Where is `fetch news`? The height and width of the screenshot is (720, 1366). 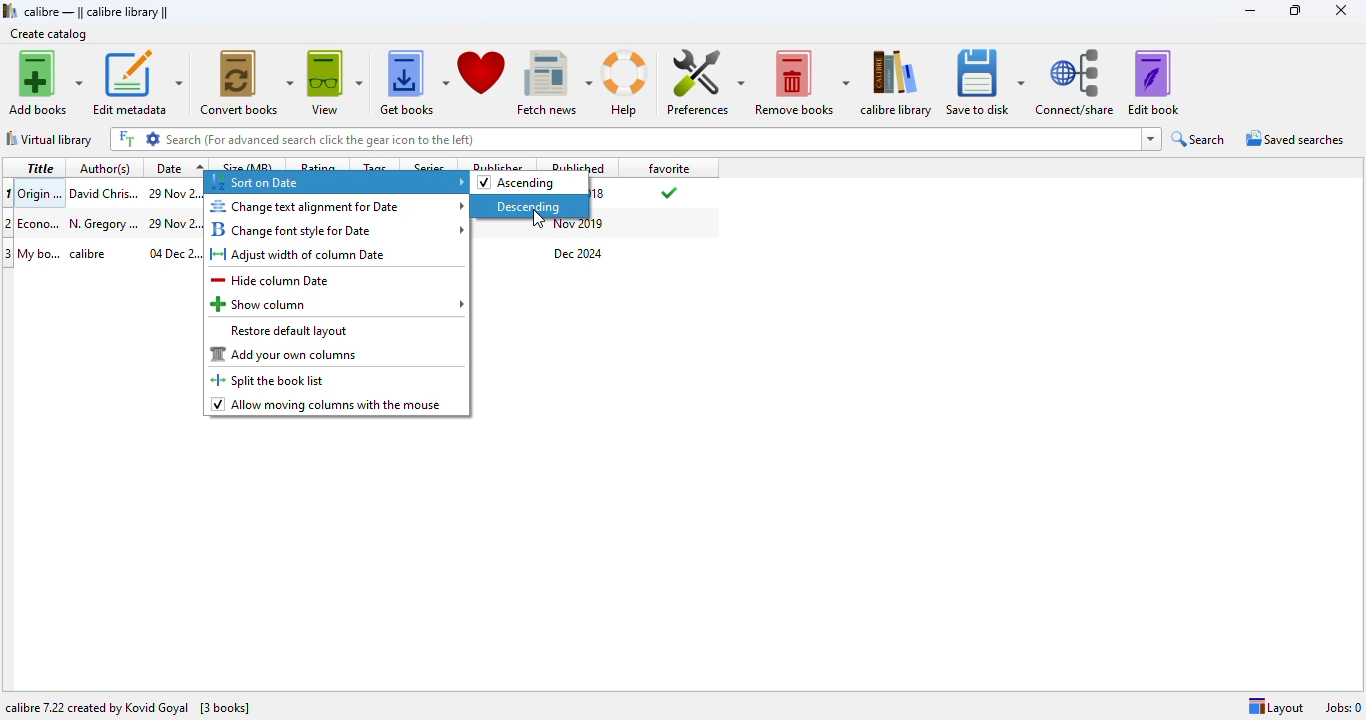 fetch news is located at coordinates (555, 83).